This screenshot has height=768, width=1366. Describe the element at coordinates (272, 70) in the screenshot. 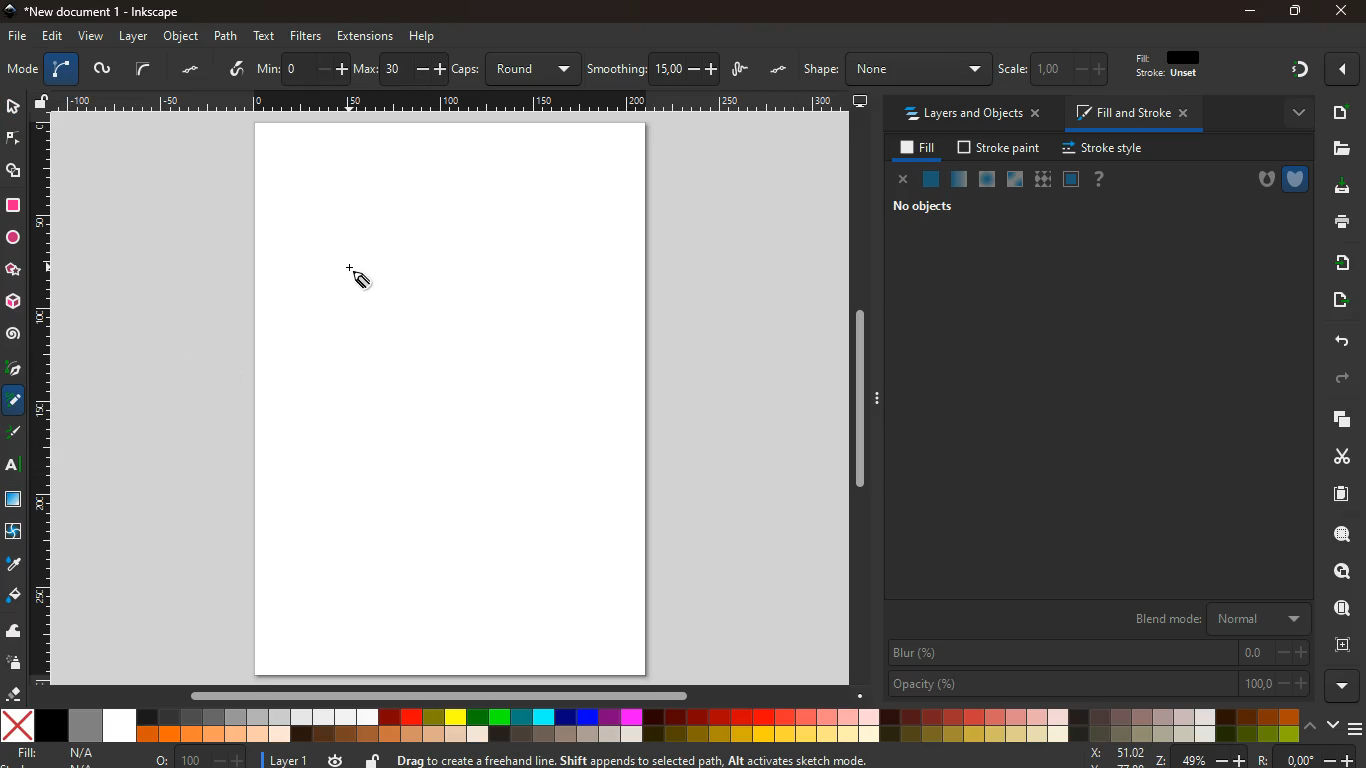

I see `divide` at that location.